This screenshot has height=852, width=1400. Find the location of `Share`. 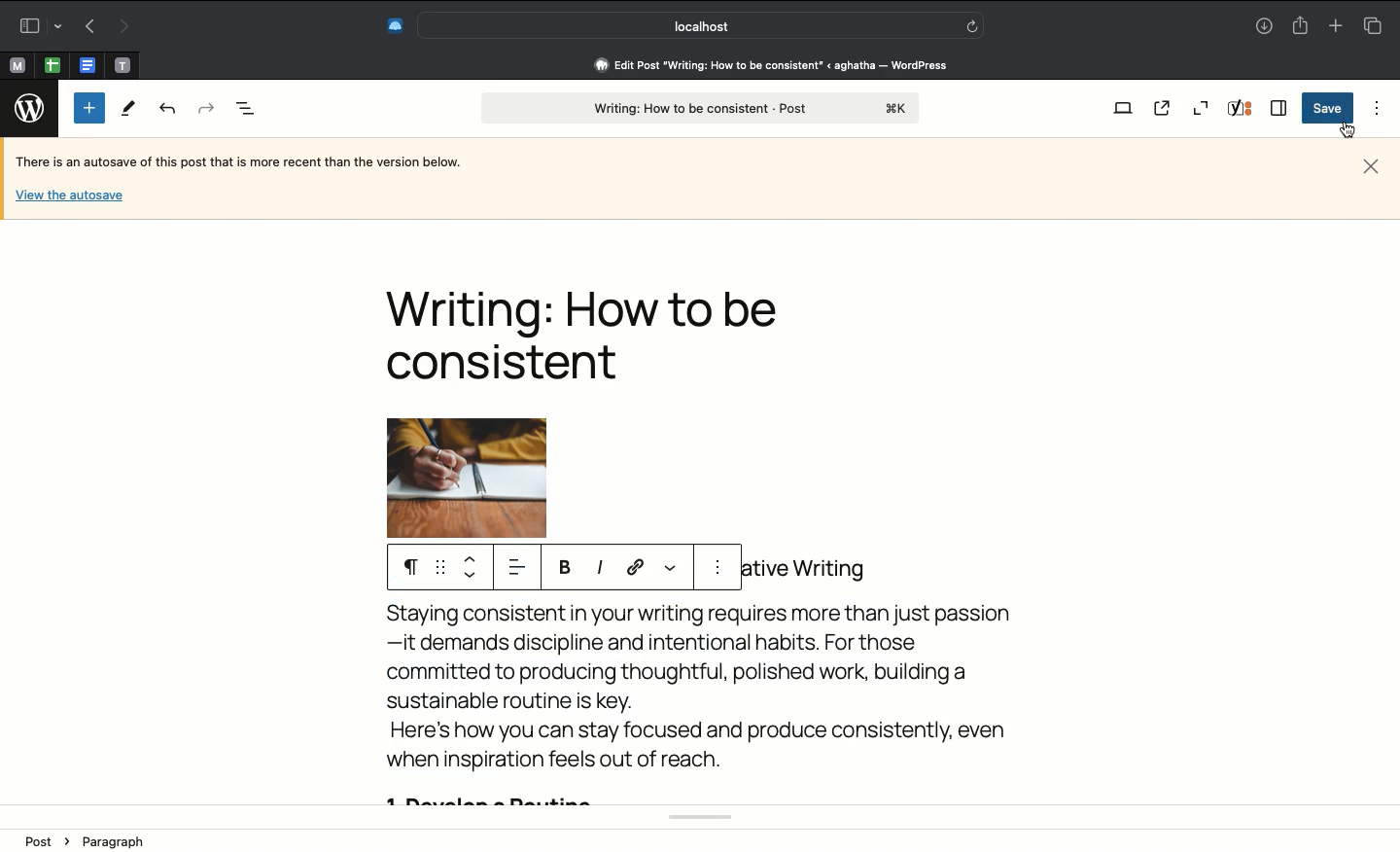

Share is located at coordinates (1303, 26).